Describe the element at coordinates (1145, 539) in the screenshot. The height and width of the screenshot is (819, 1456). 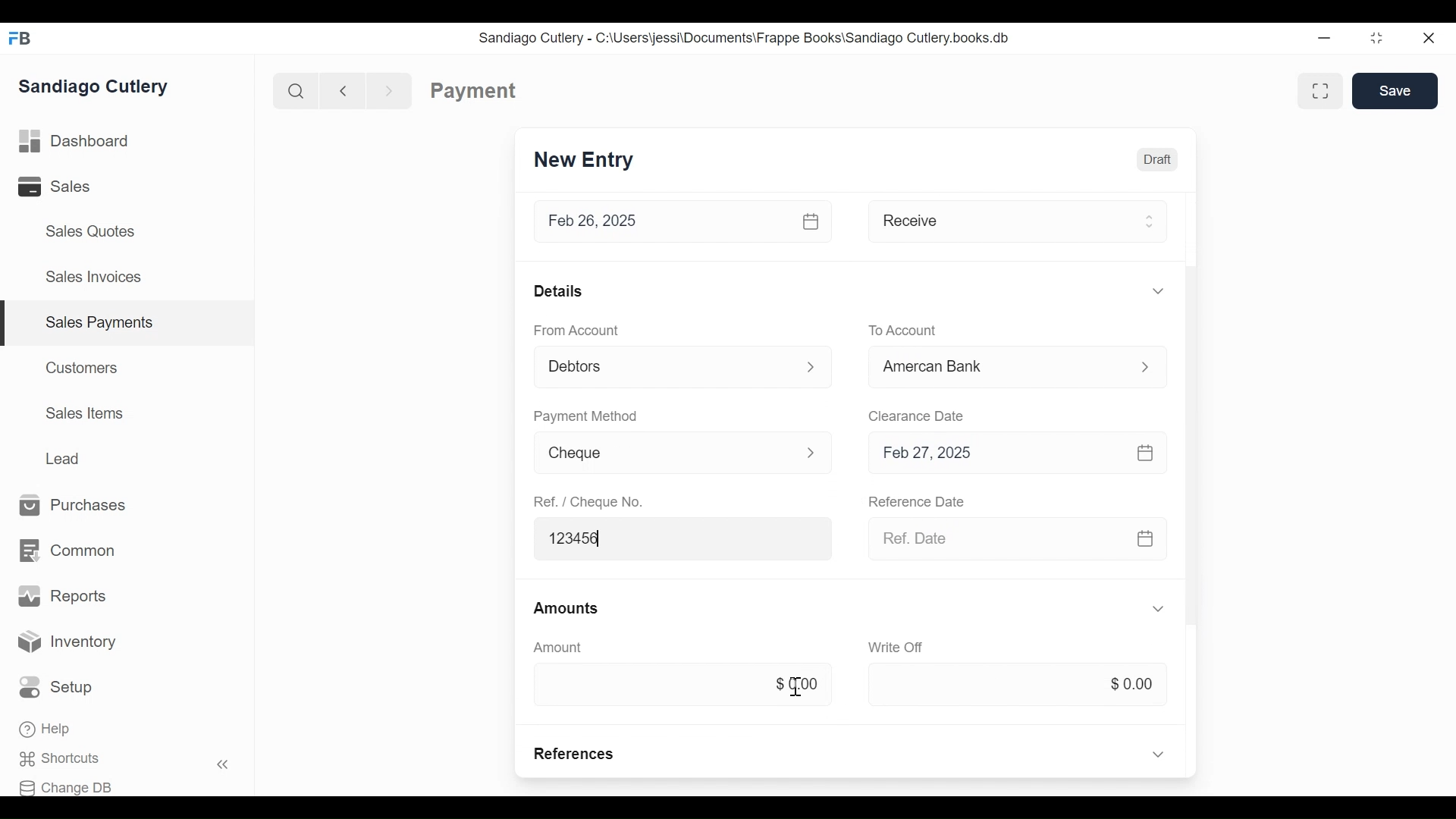
I see `Calendar` at that location.